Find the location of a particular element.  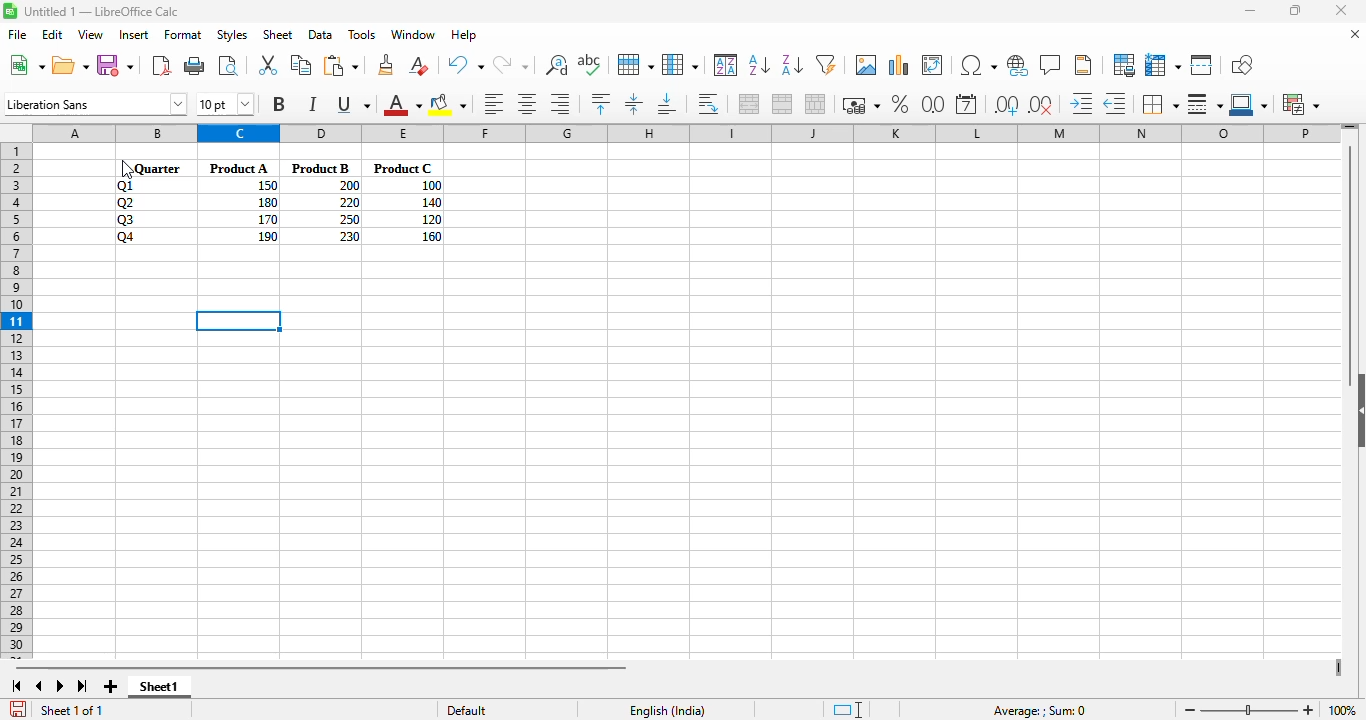

split window is located at coordinates (1202, 65).